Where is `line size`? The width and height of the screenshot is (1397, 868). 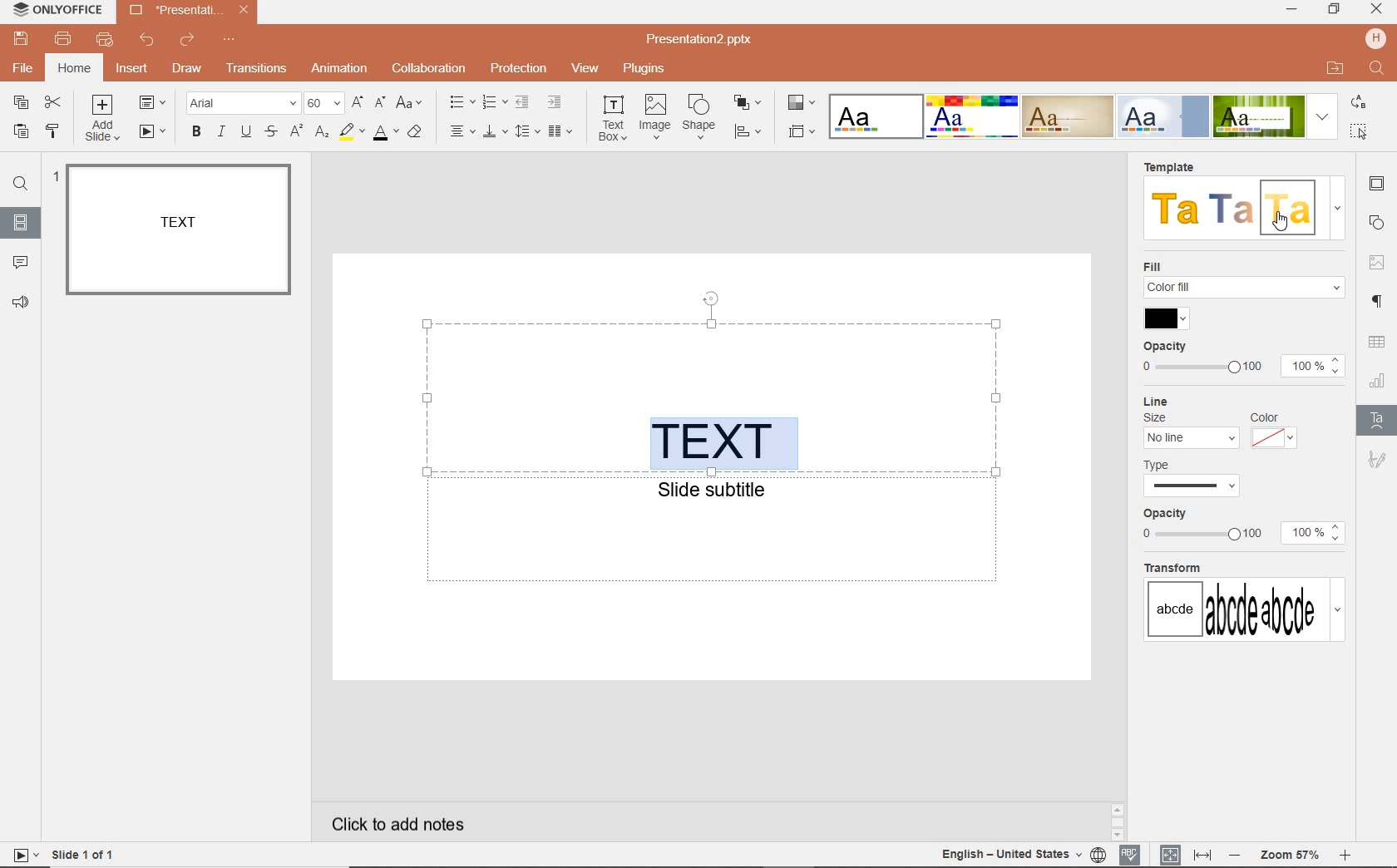
line size is located at coordinates (1190, 432).